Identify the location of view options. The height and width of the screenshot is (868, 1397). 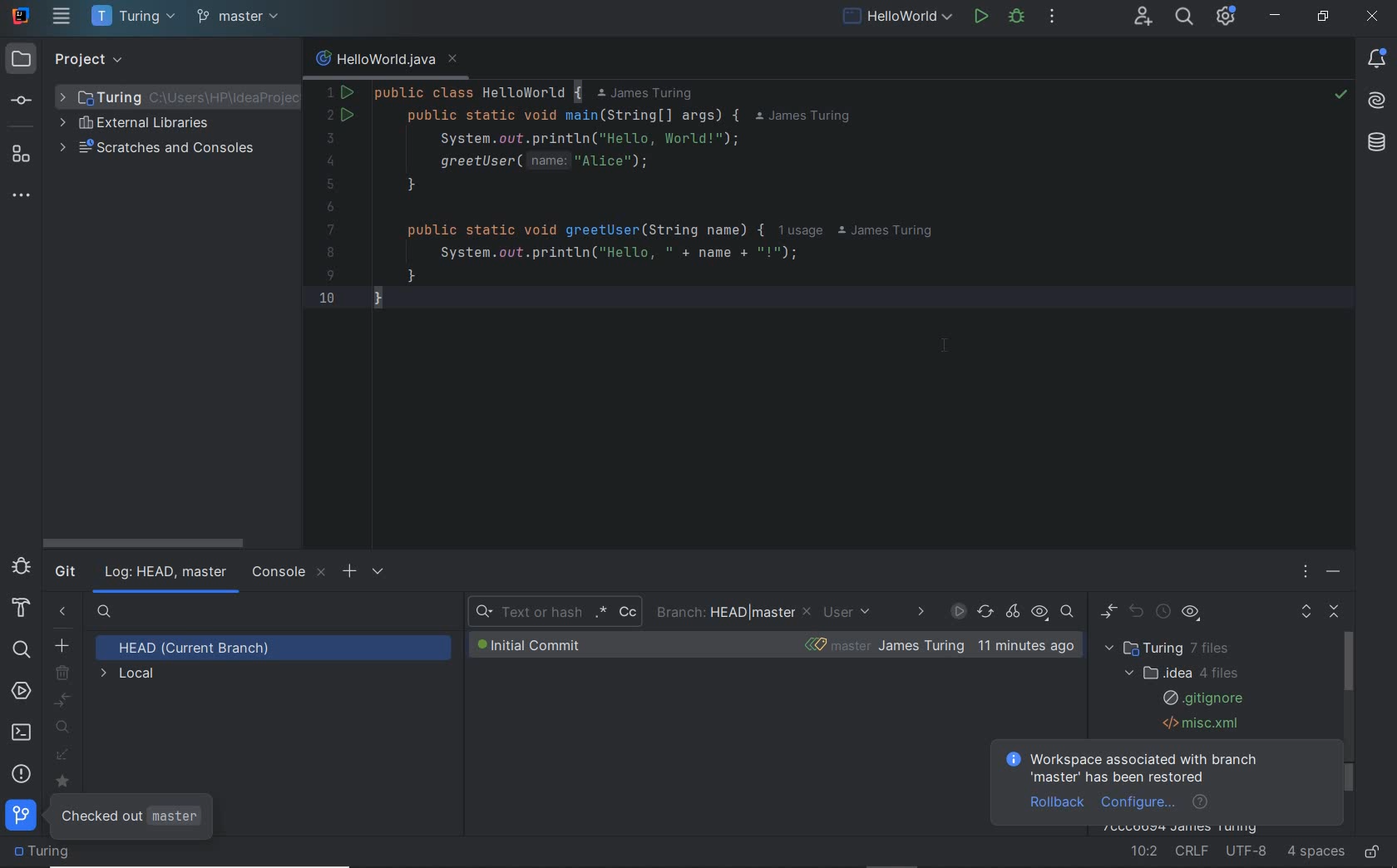
(1191, 615).